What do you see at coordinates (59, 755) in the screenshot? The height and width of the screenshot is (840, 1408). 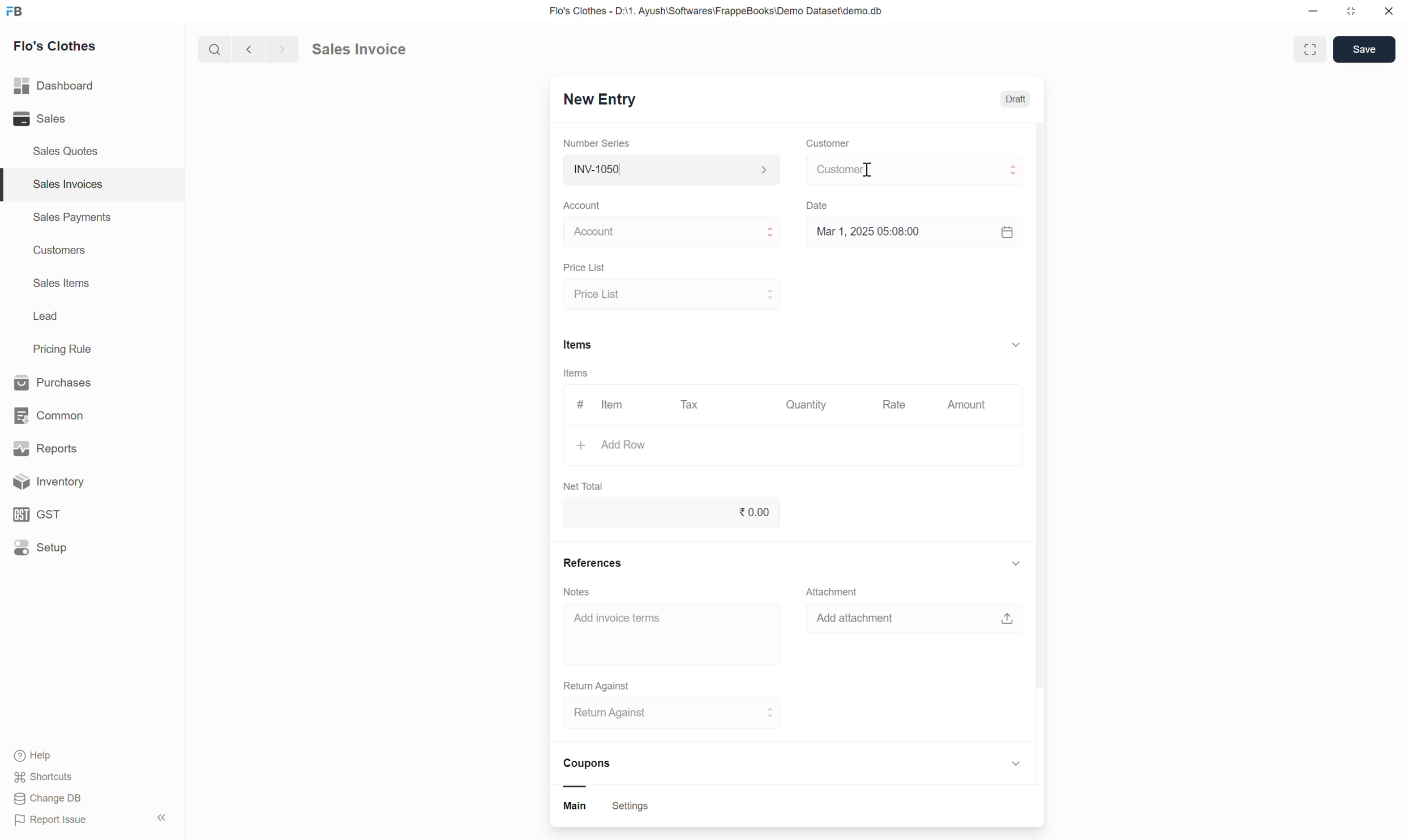 I see `Help` at bounding box center [59, 755].